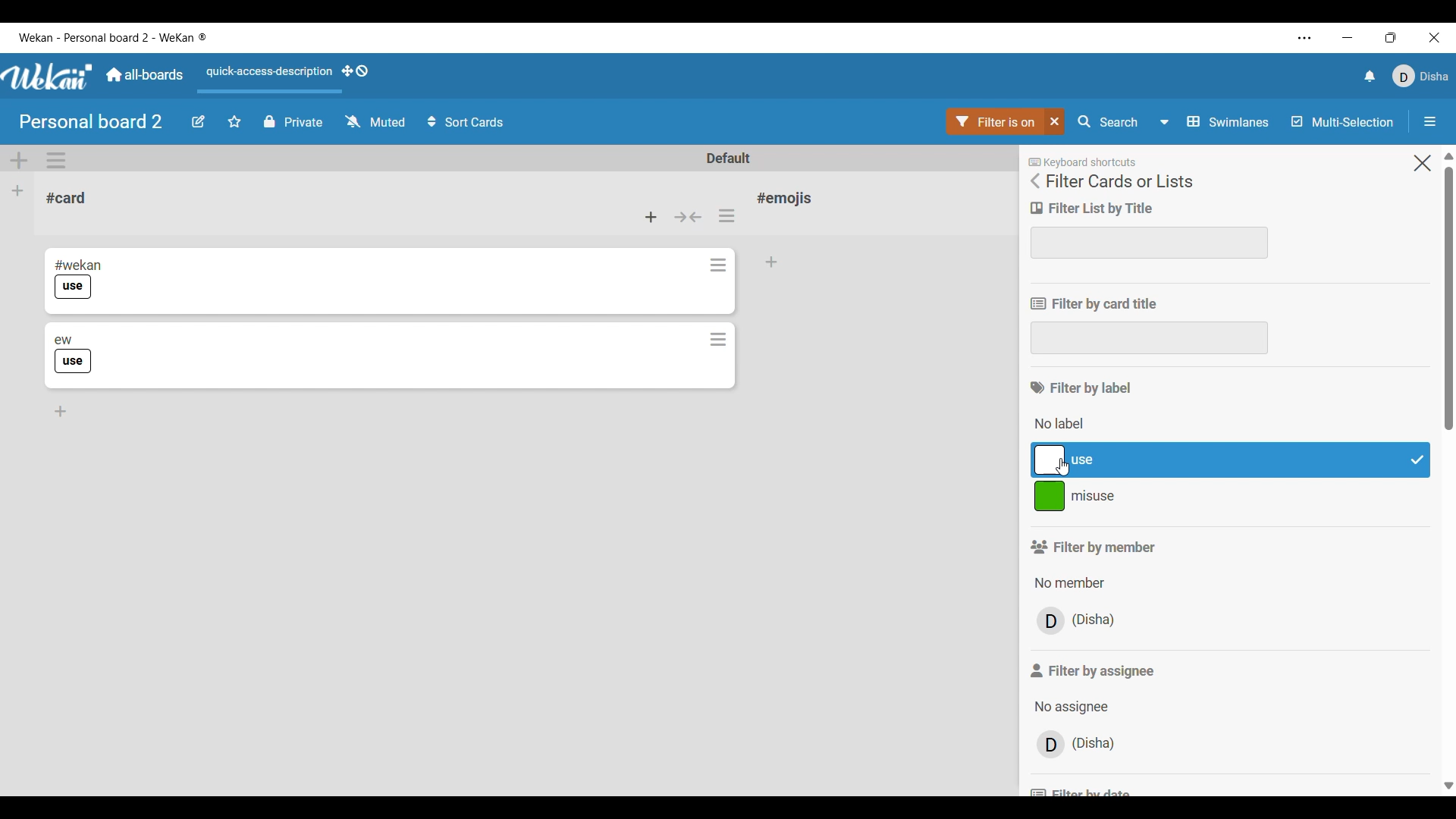 The height and width of the screenshot is (819, 1456). I want to click on Swimlane actions, so click(56, 160).